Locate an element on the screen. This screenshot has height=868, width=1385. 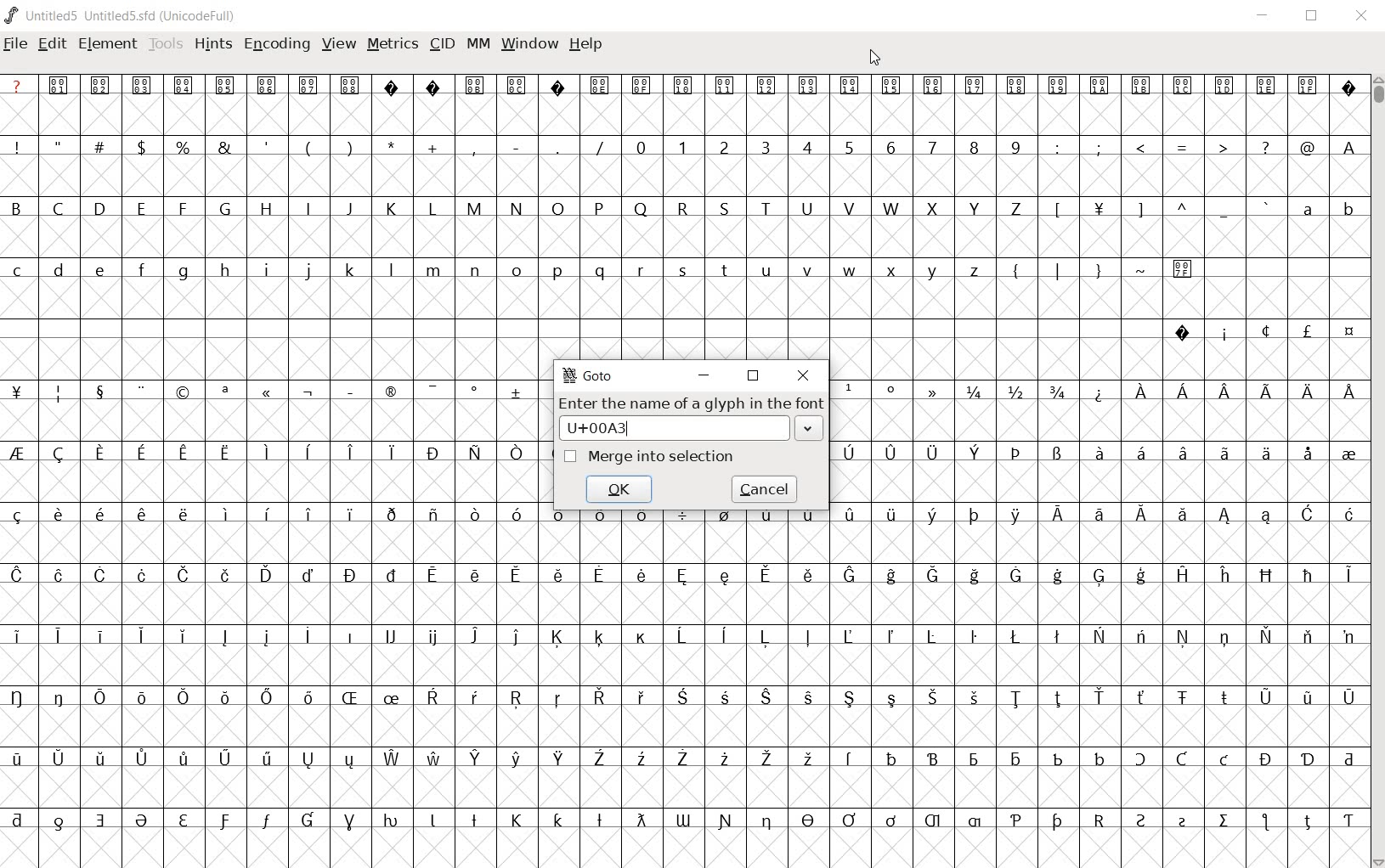
Symbol is located at coordinates (723, 699).